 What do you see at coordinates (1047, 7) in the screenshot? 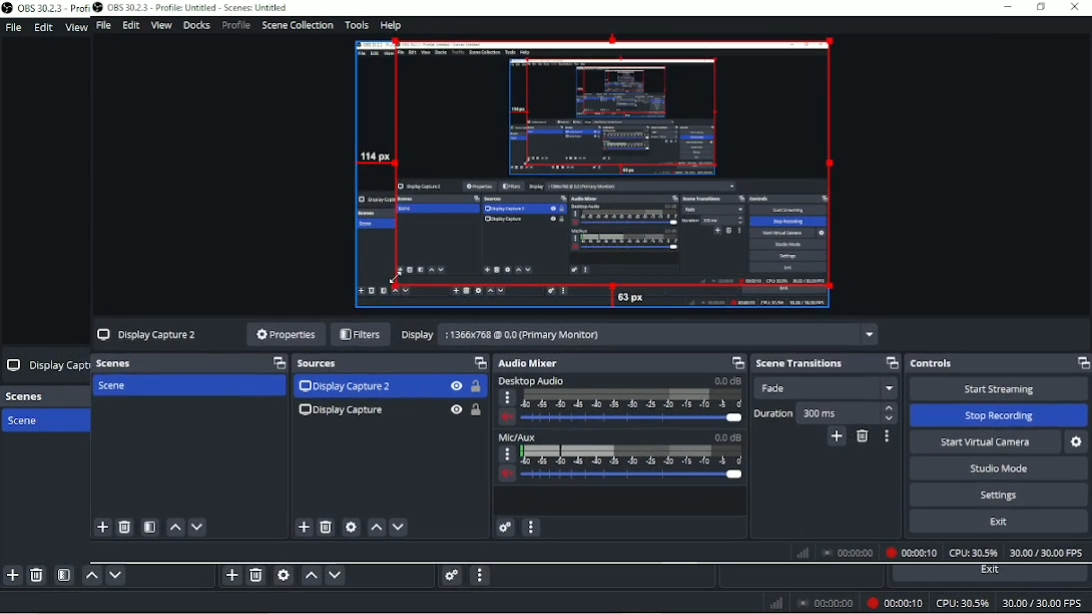
I see `maximize` at bounding box center [1047, 7].